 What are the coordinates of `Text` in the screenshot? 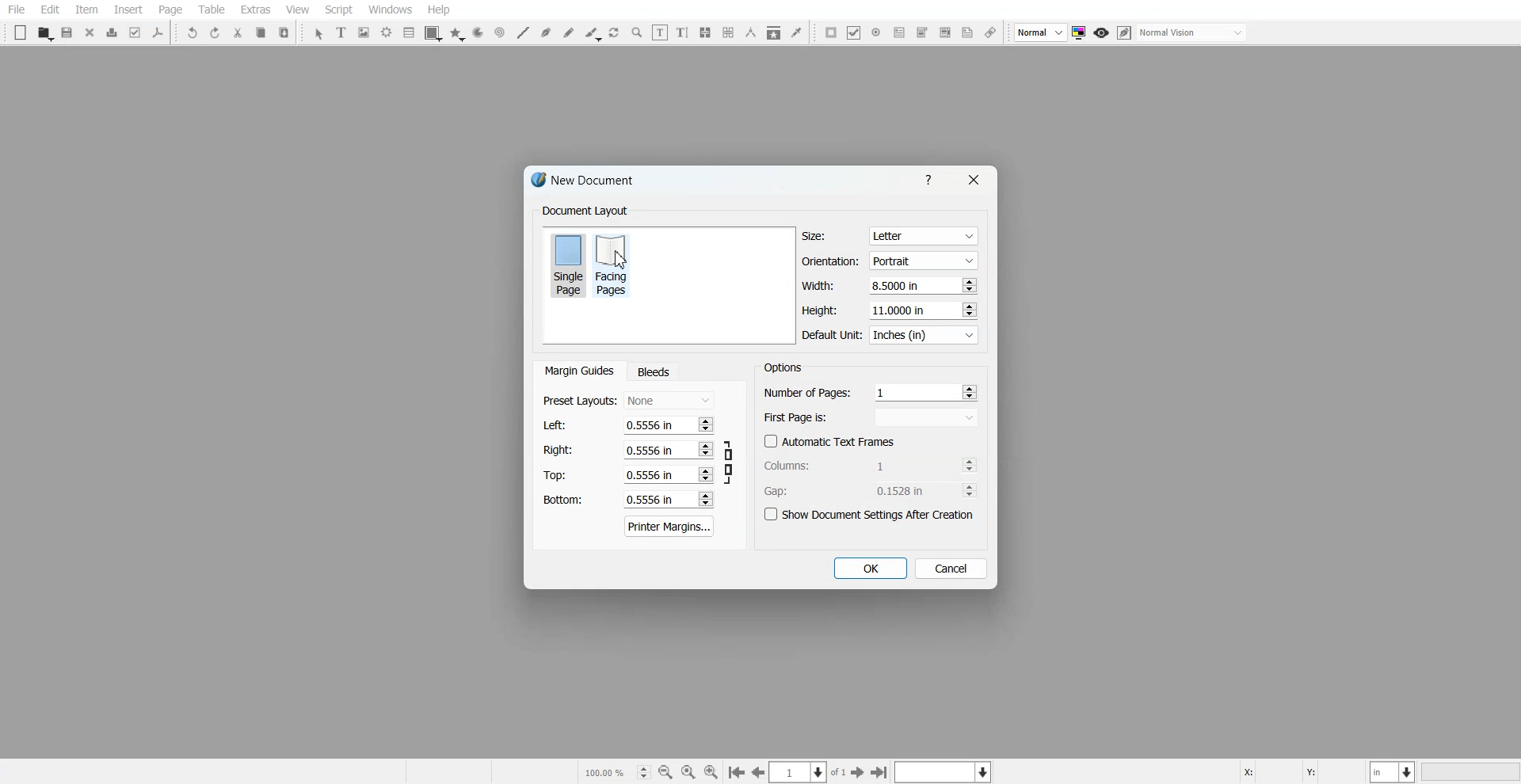 It's located at (585, 211).